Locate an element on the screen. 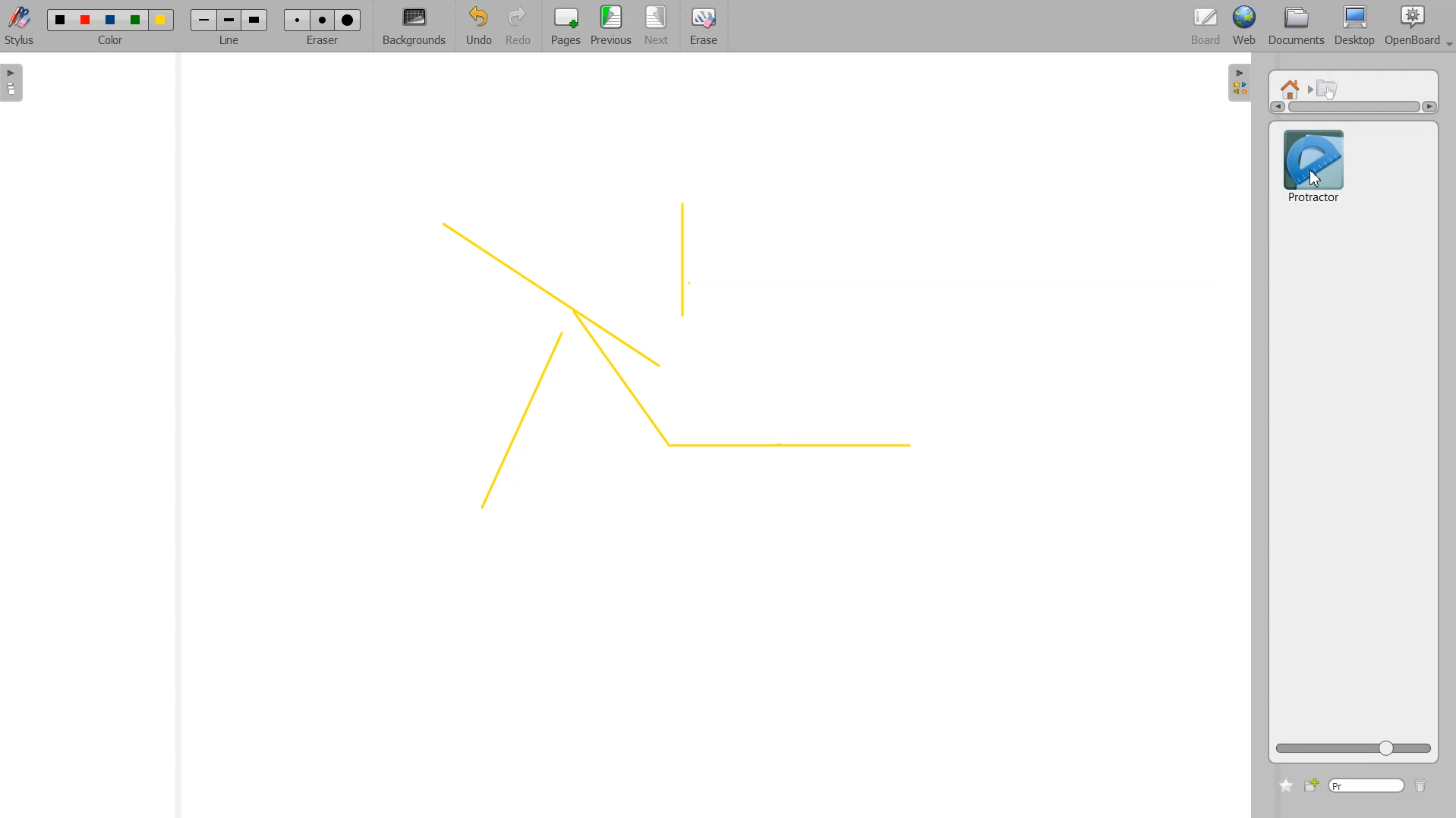  Open Board is located at coordinates (1418, 27).